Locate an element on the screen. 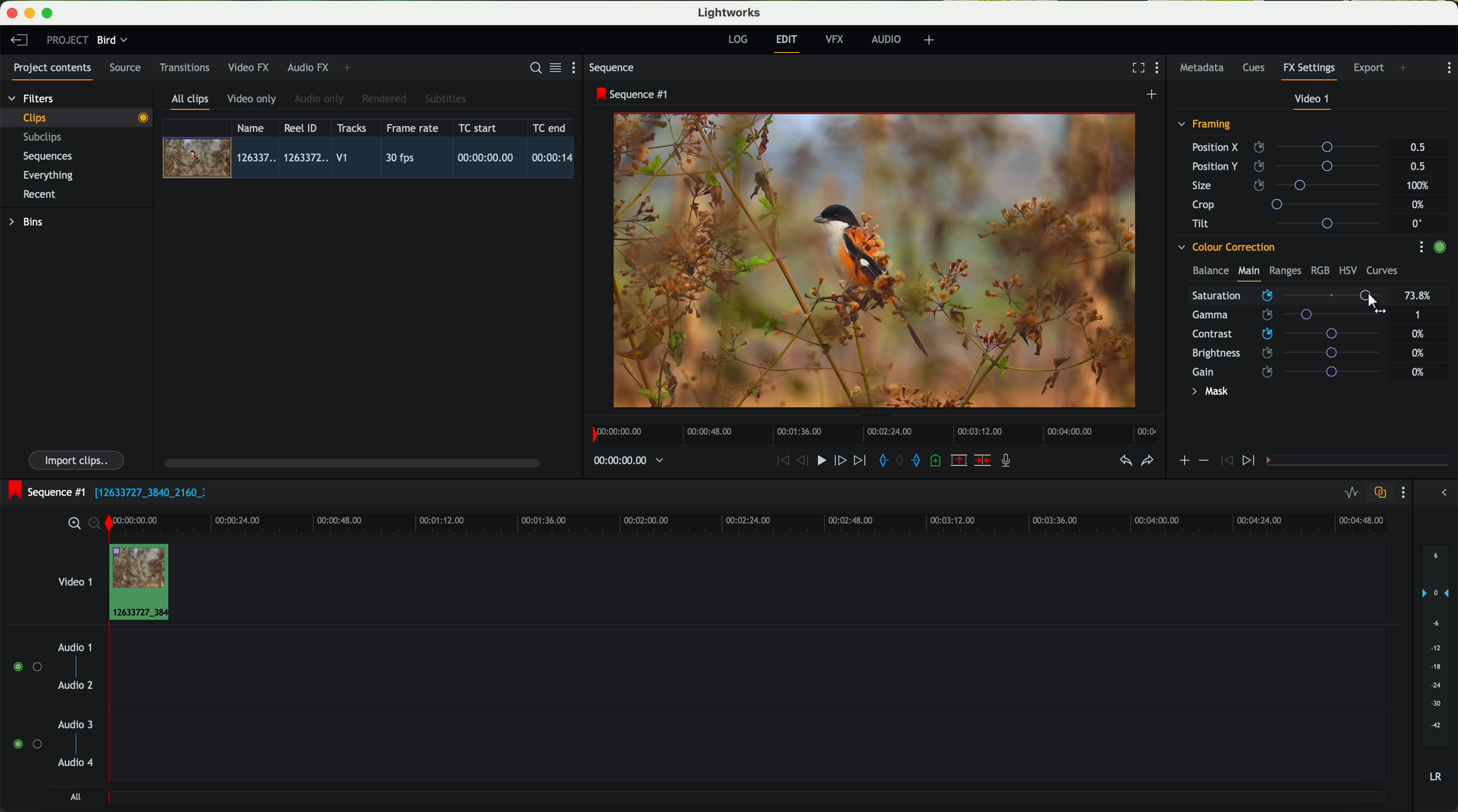  sequence #1 is located at coordinates (44, 492).